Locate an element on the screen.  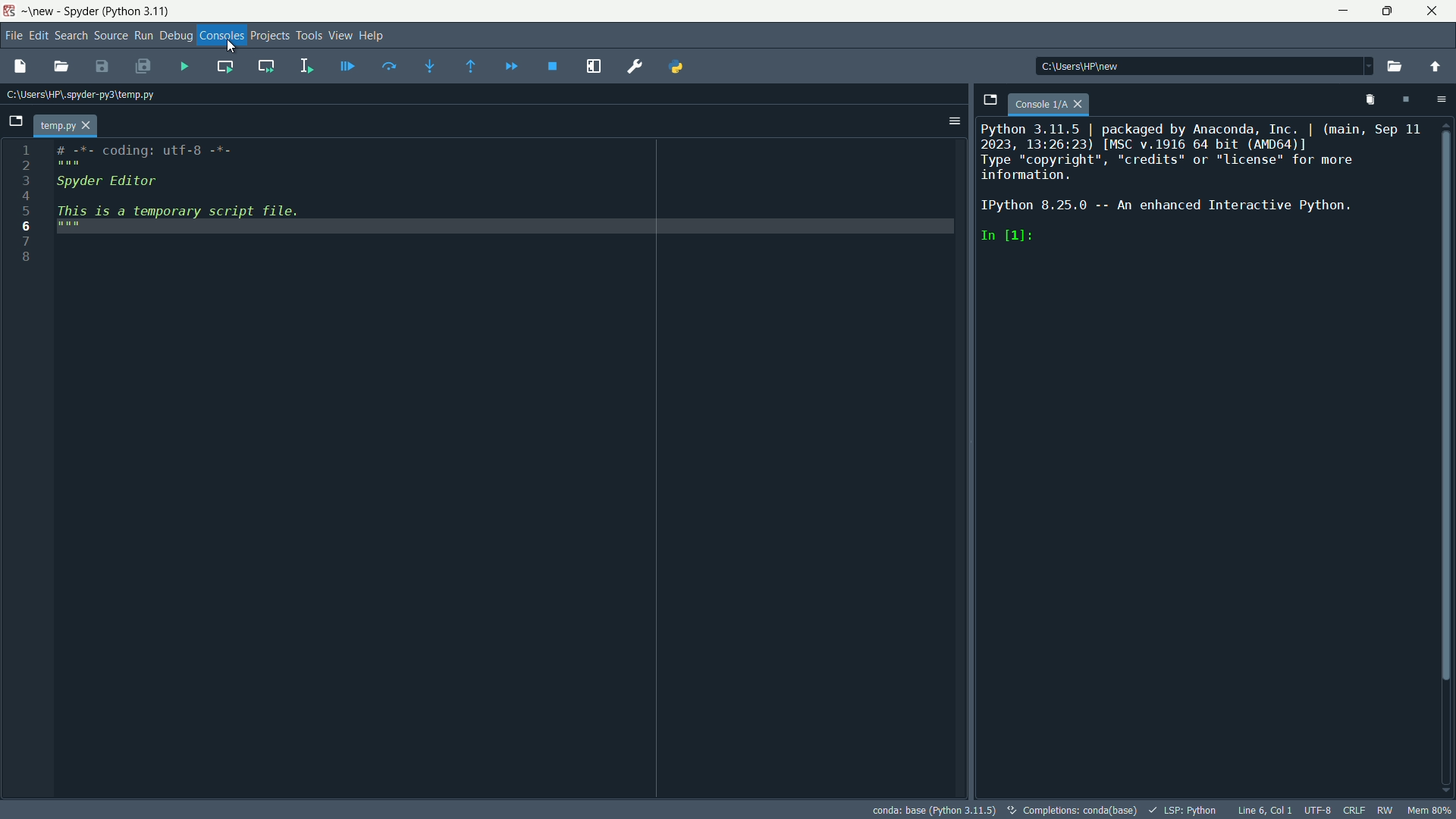
crlf is located at coordinates (1354, 810).